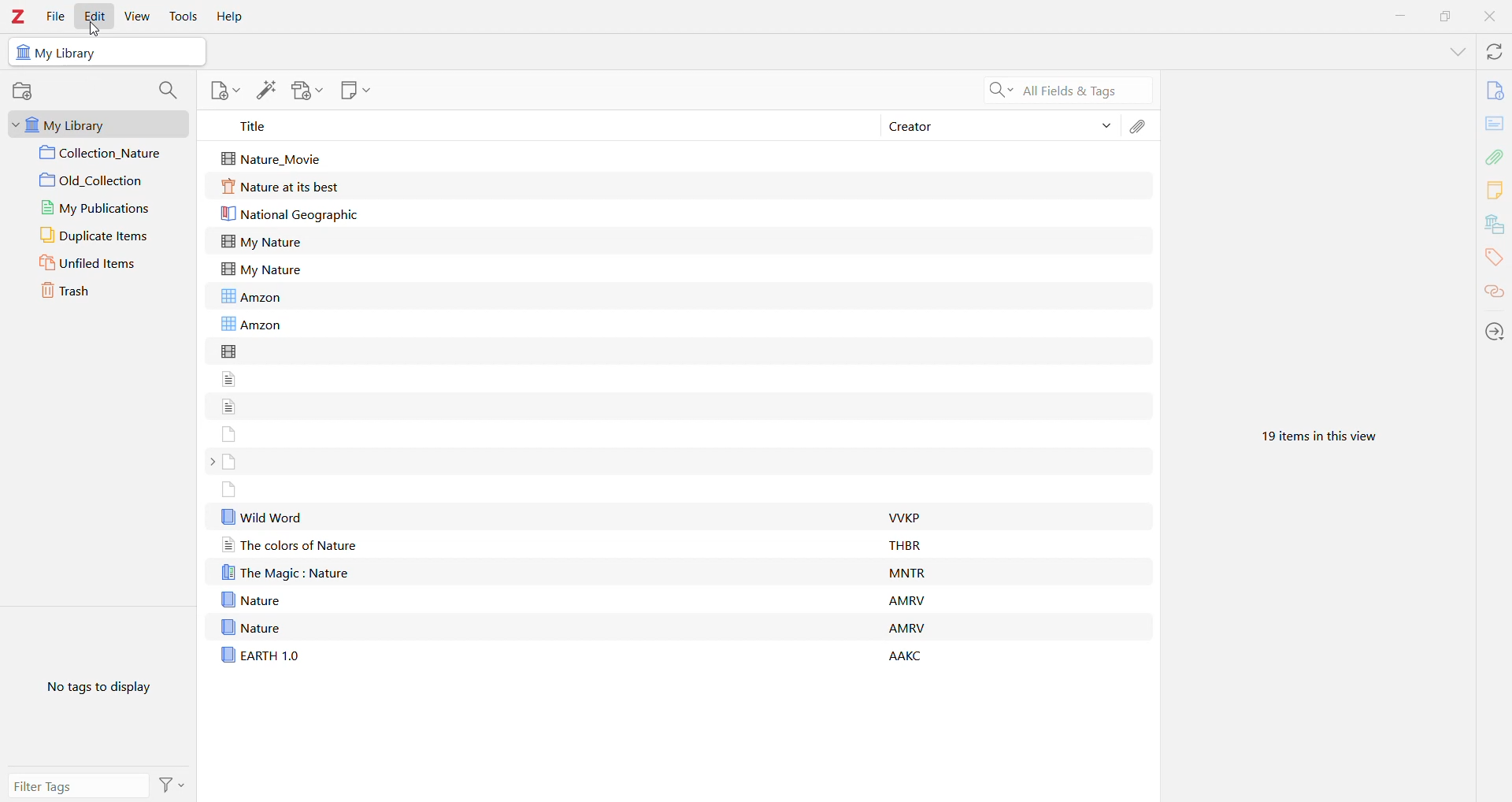 This screenshot has width=1512, height=802. Describe the element at coordinates (250, 626) in the screenshot. I see `Nature` at that location.